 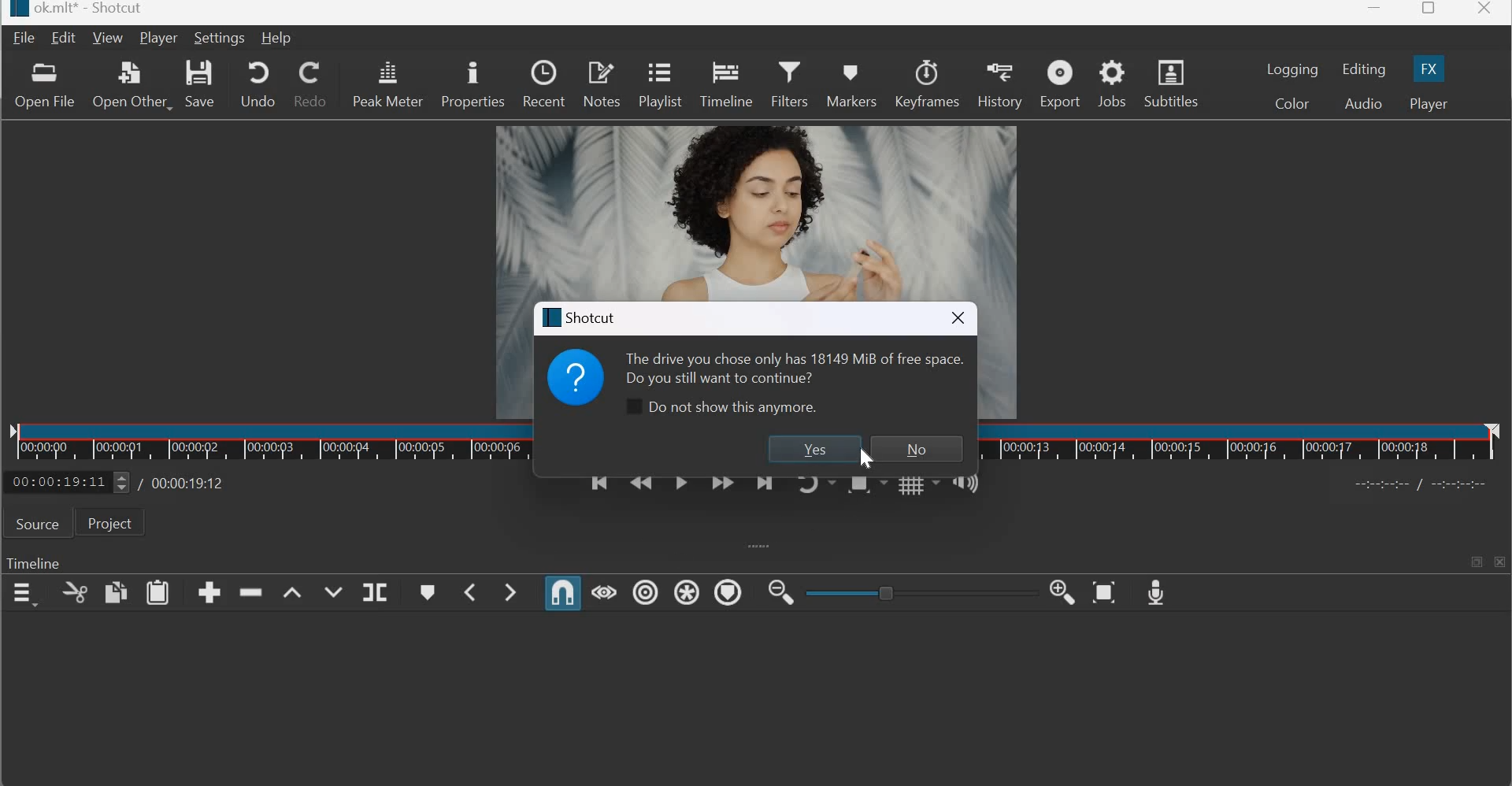 What do you see at coordinates (999, 83) in the screenshot?
I see `History` at bounding box center [999, 83].